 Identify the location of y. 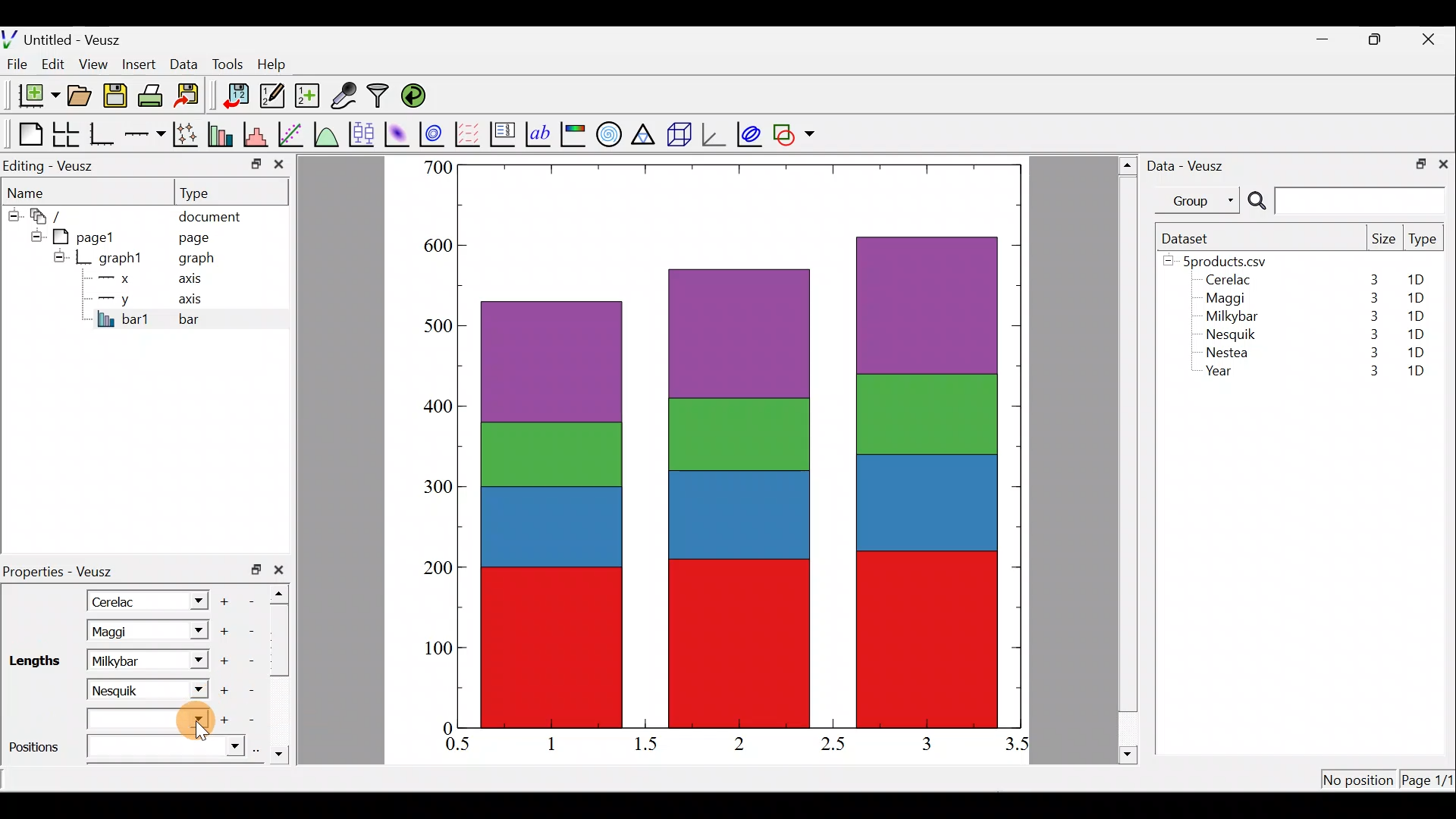
(114, 297).